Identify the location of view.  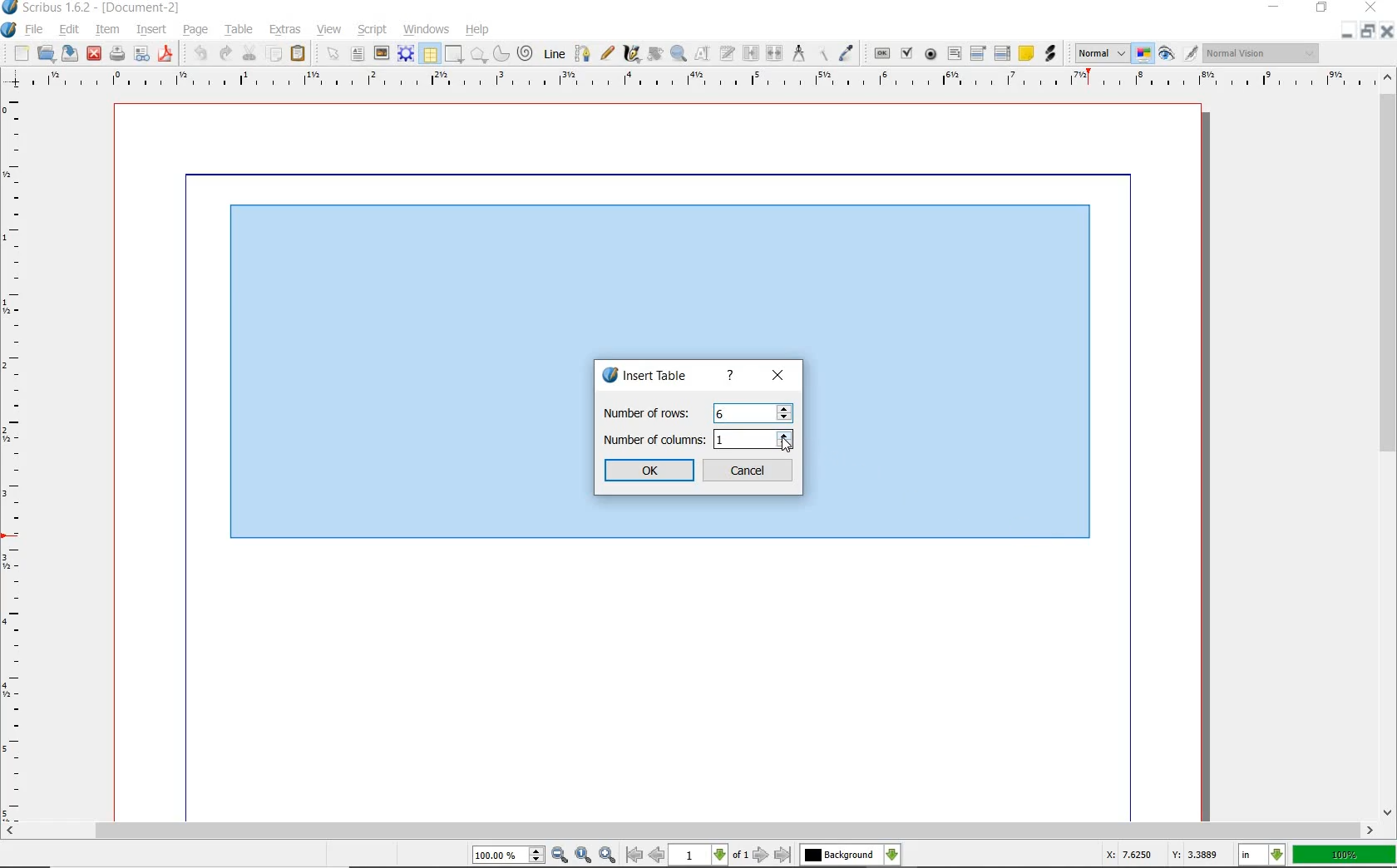
(329, 32).